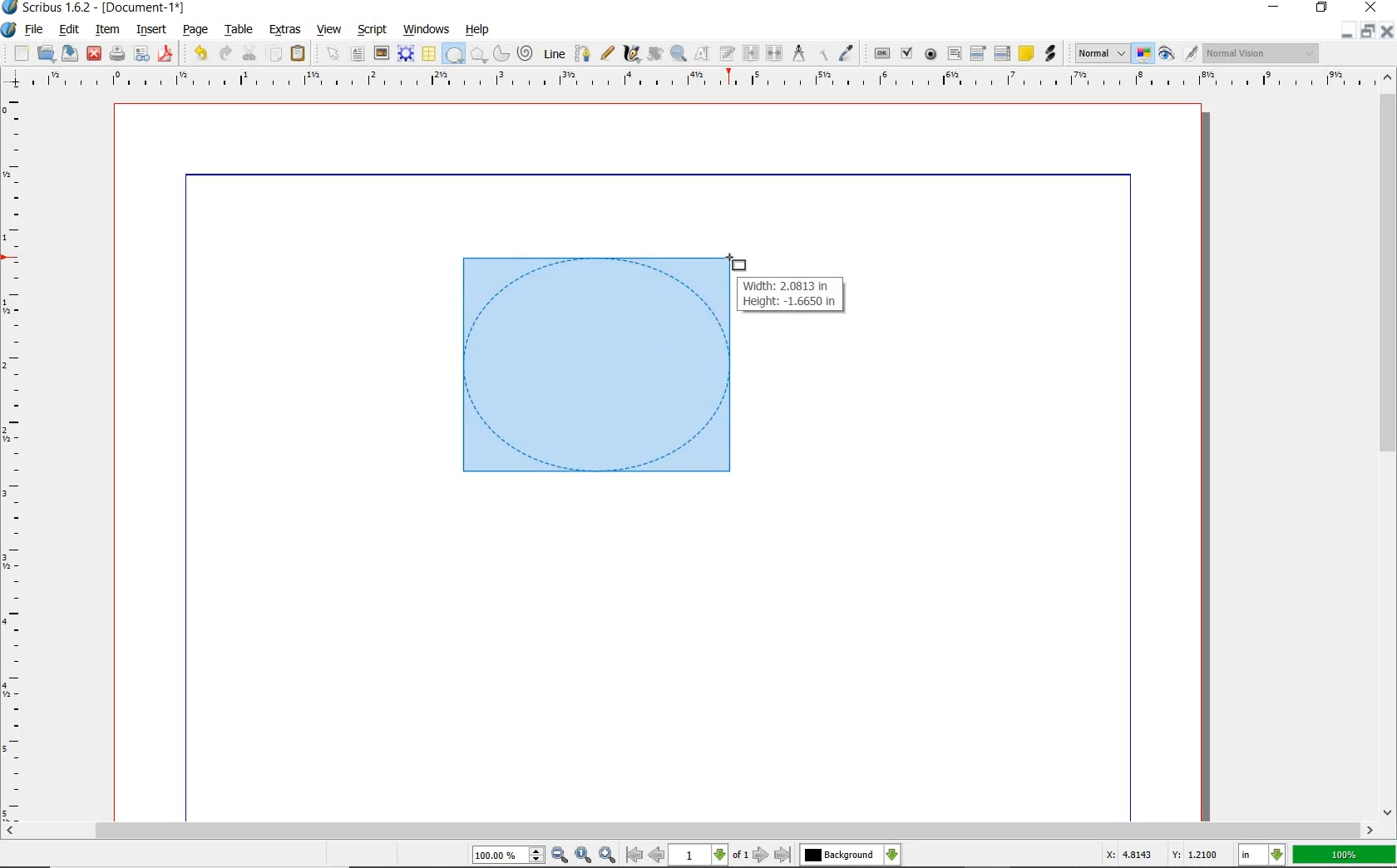 Image resolution: width=1397 pixels, height=868 pixels. I want to click on CLOSE, so click(1387, 32).